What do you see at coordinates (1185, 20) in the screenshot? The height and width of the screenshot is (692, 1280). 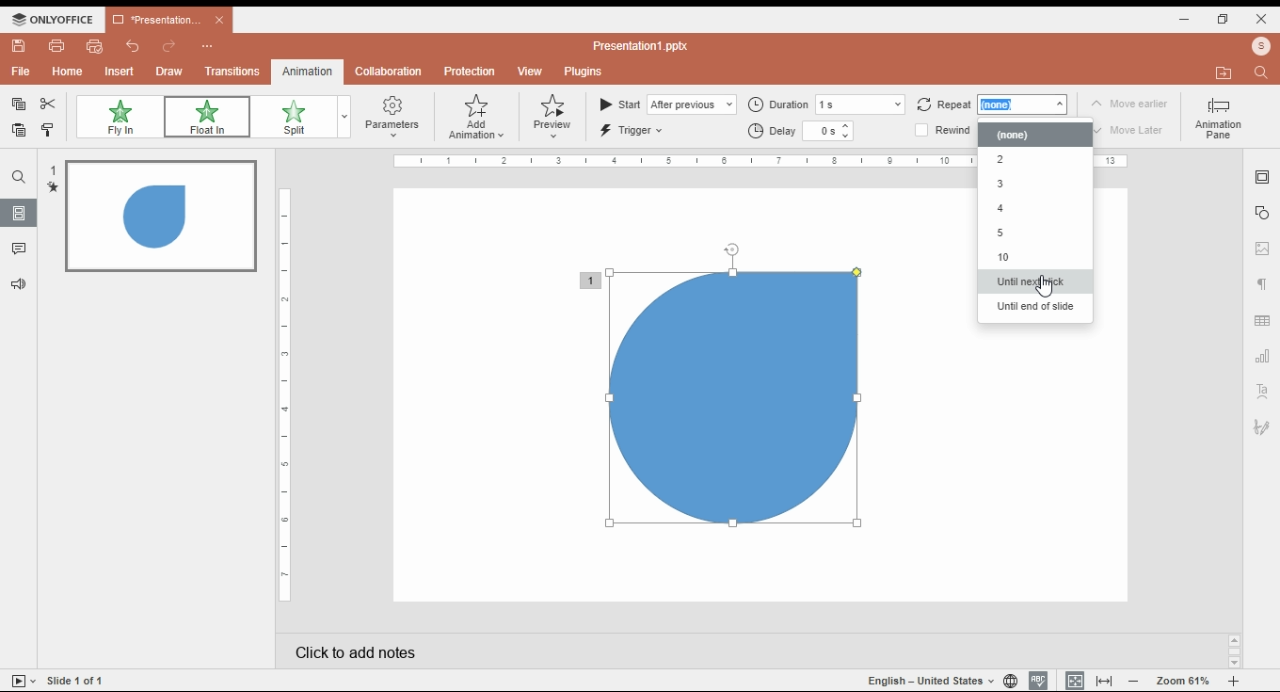 I see `minimize` at bounding box center [1185, 20].